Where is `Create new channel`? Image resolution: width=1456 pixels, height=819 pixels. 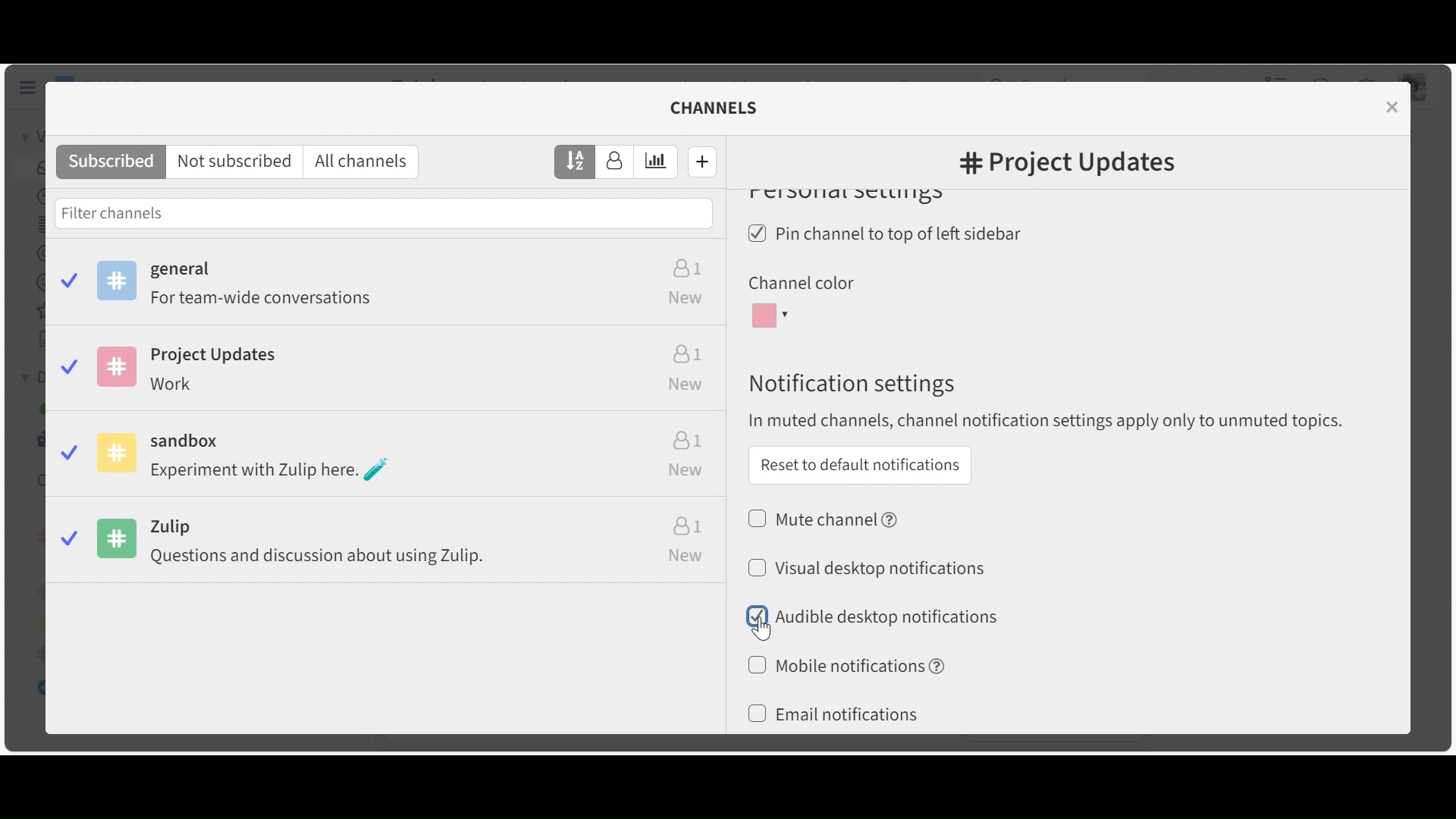
Create new channel is located at coordinates (703, 161).